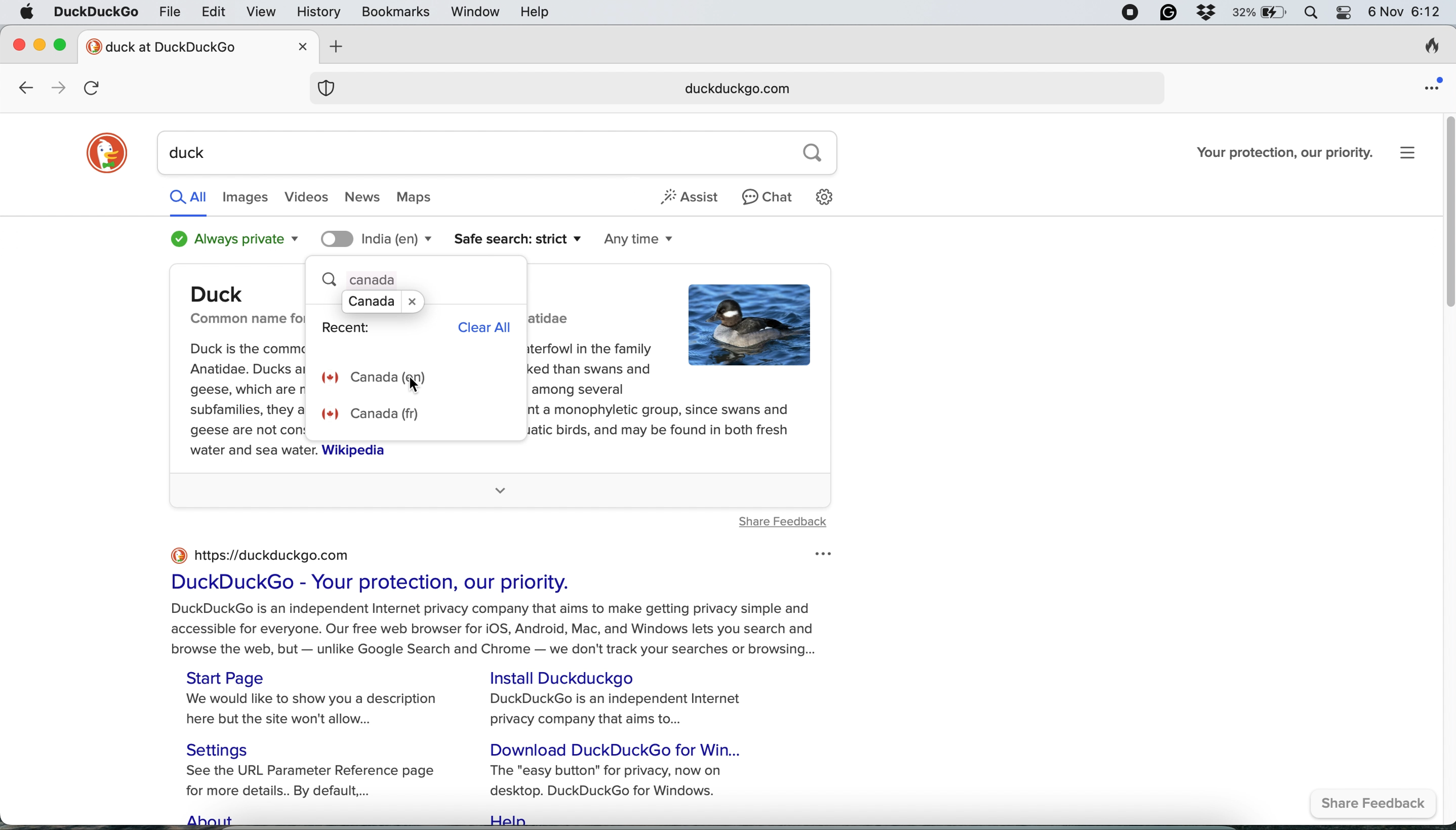 This screenshot has width=1456, height=830. What do you see at coordinates (186, 46) in the screenshot?
I see `new tab` at bounding box center [186, 46].